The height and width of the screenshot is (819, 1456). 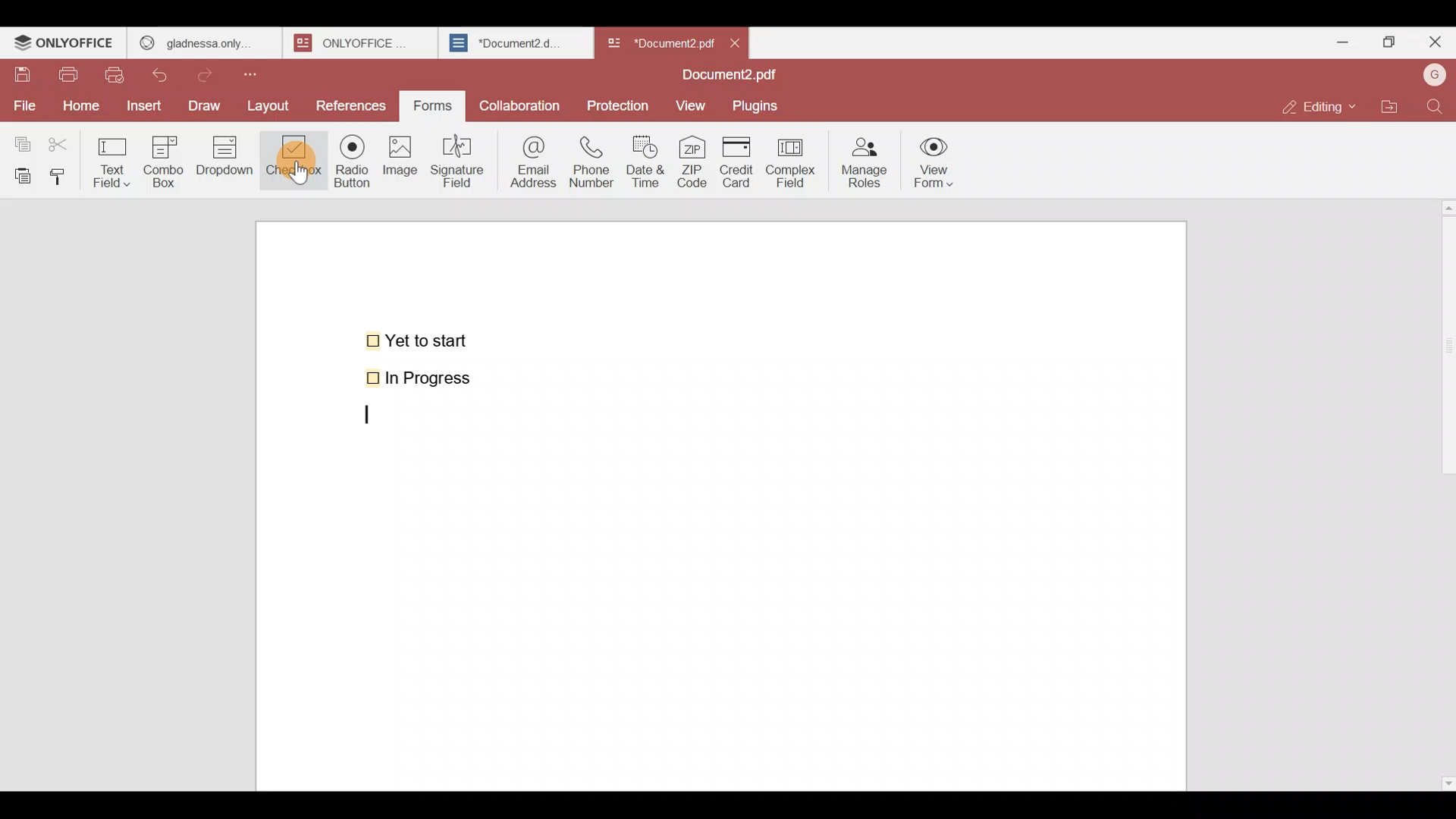 I want to click on View, so click(x=693, y=105).